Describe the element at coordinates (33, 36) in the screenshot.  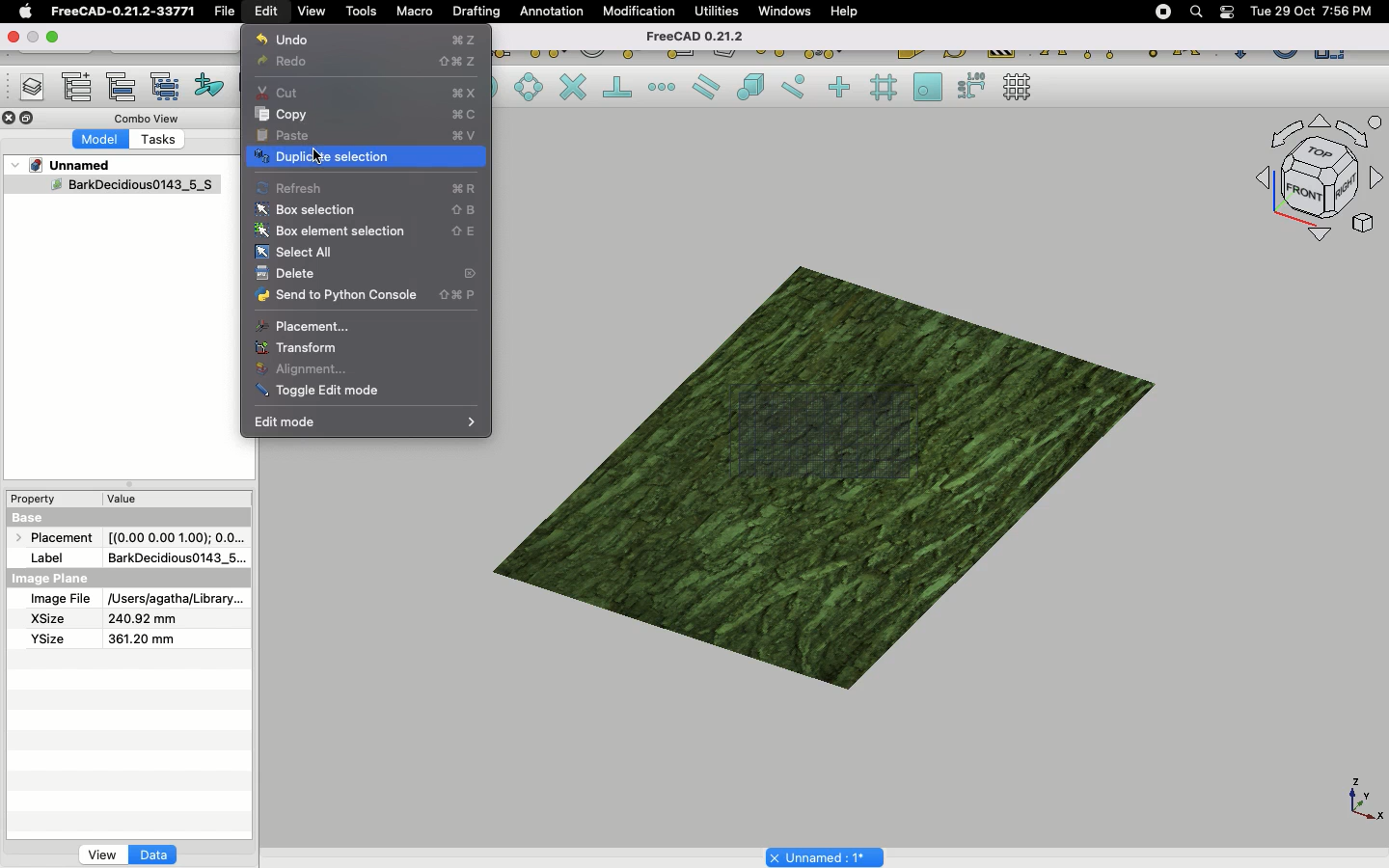
I see `minimise` at that location.